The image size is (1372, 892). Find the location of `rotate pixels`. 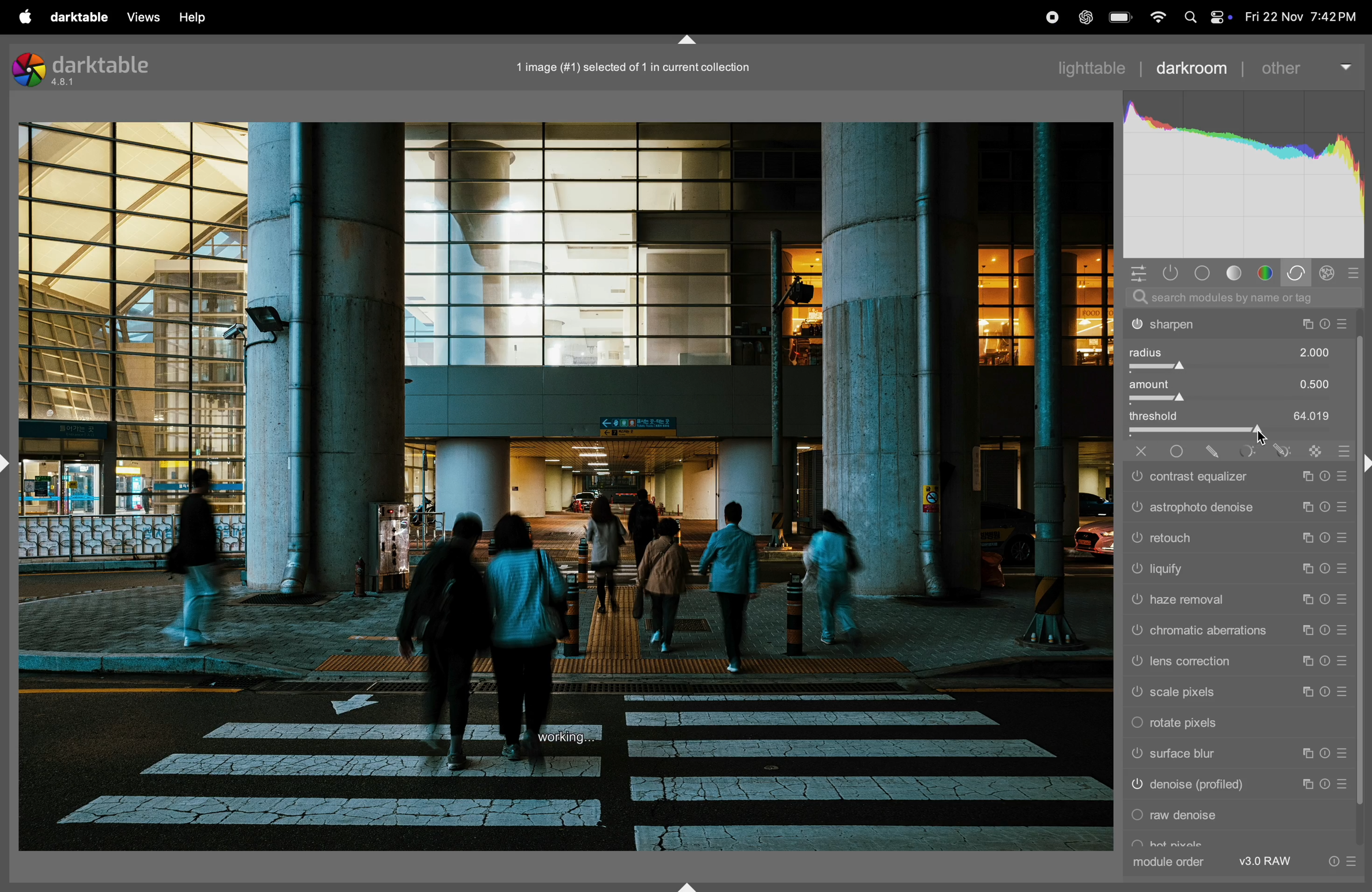

rotate pixels is located at coordinates (1234, 725).